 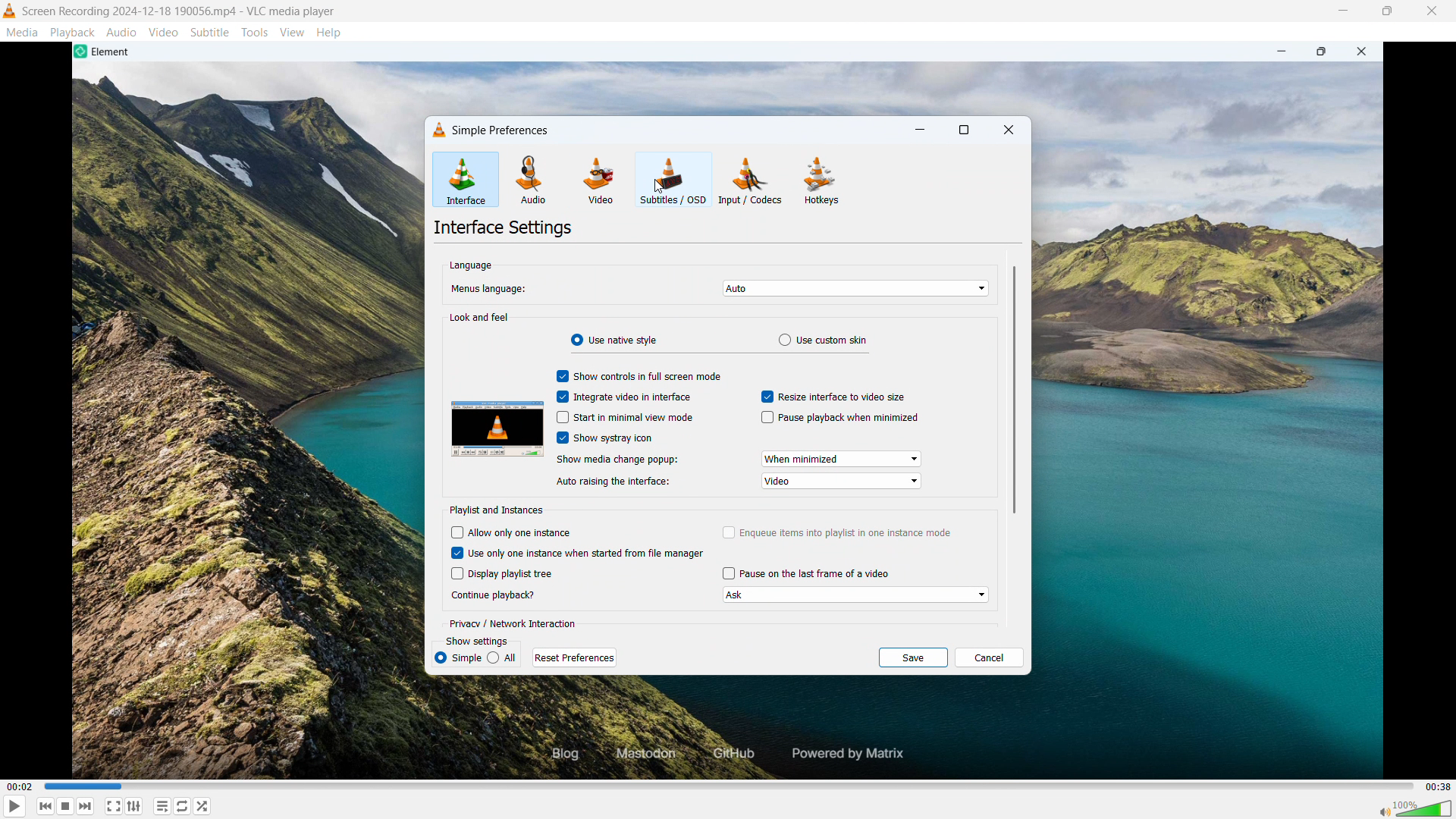 What do you see at coordinates (610, 482) in the screenshot?
I see `audio aising` at bounding box center [610, 482].